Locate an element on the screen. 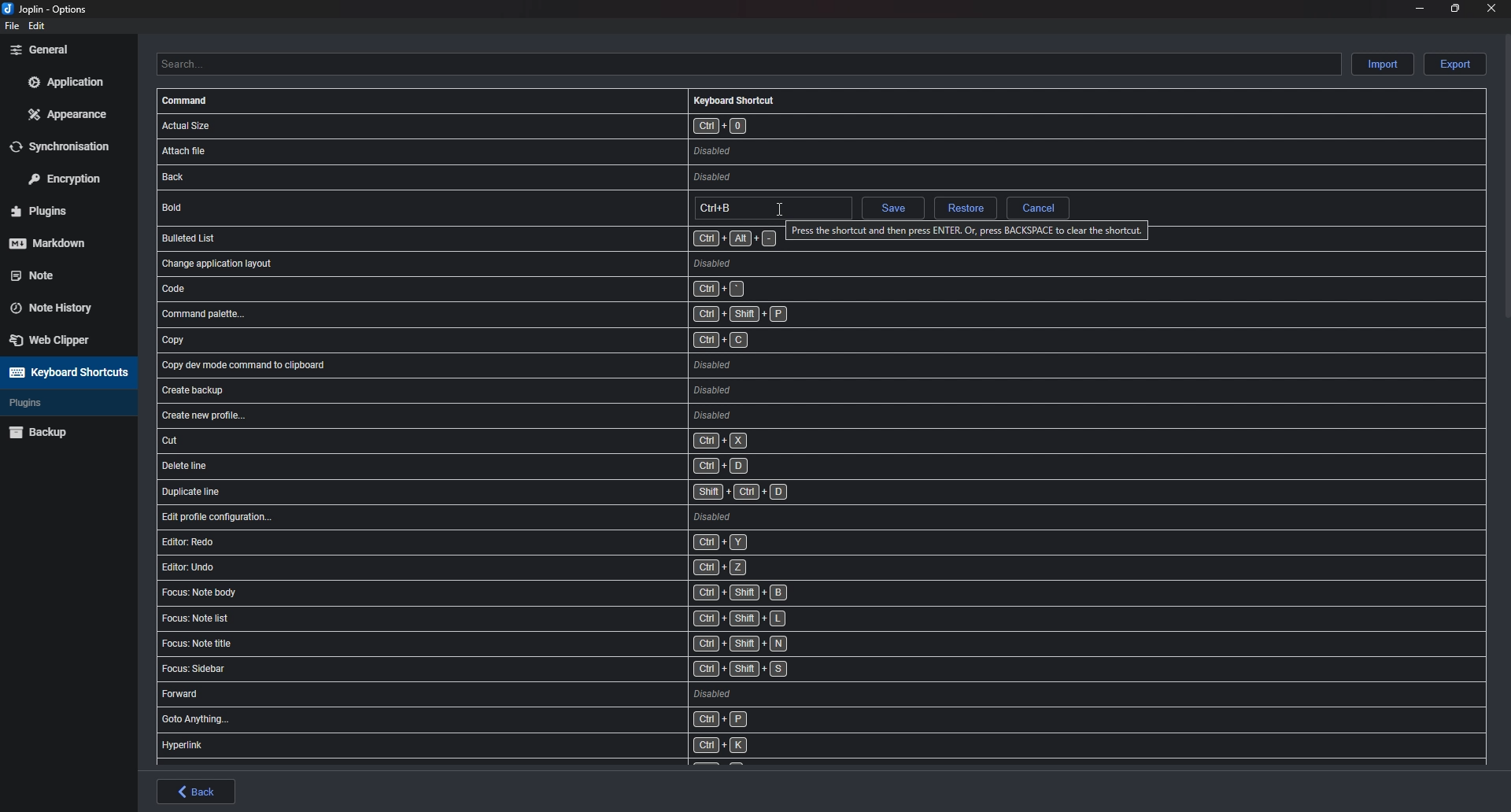  cancel is located at coordinates (1038, 208).